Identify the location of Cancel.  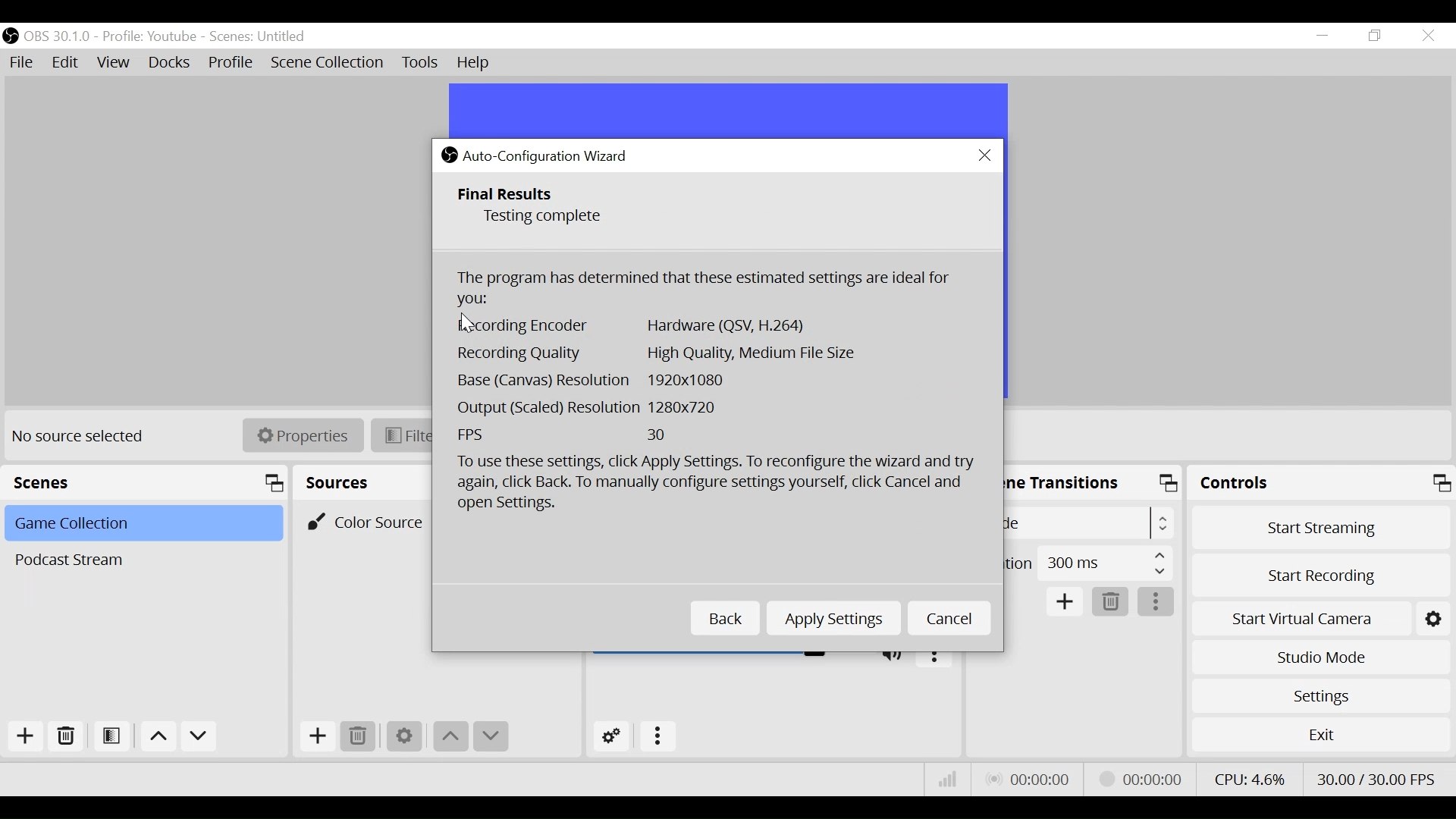
(950, 619).